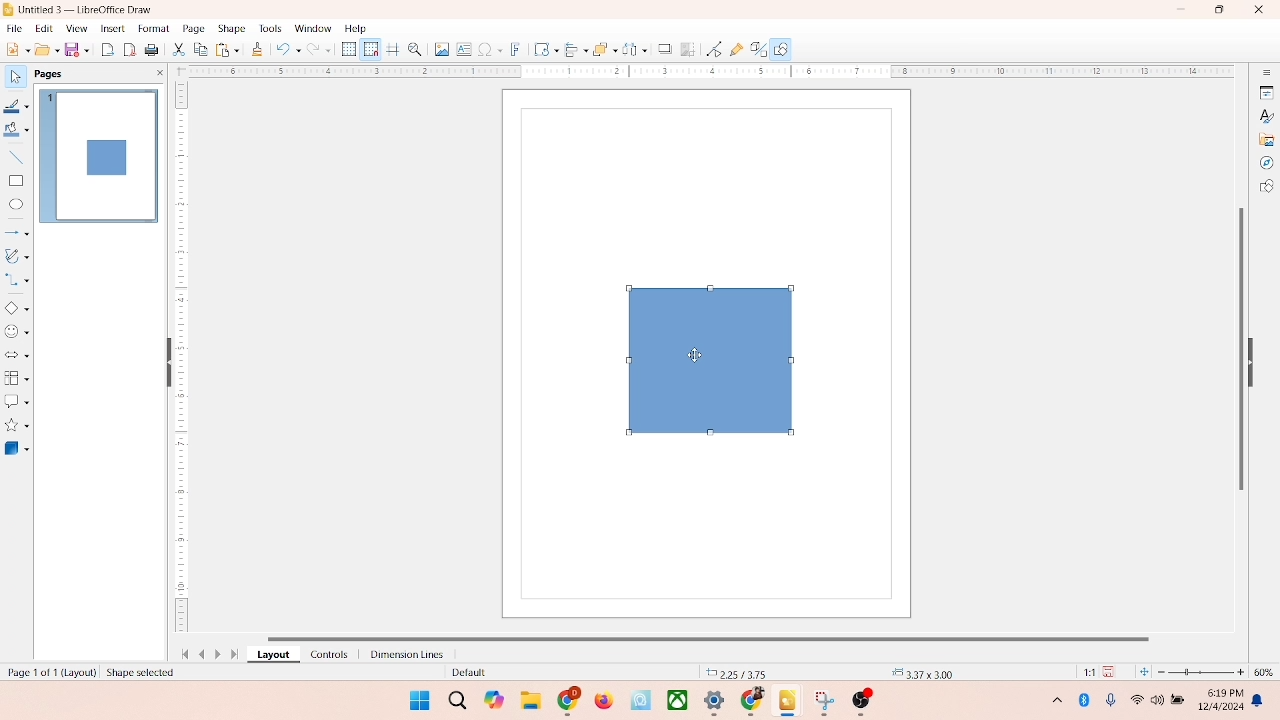 The image size is (1280, 720). I want to click on gallery, so click(1267, 138).